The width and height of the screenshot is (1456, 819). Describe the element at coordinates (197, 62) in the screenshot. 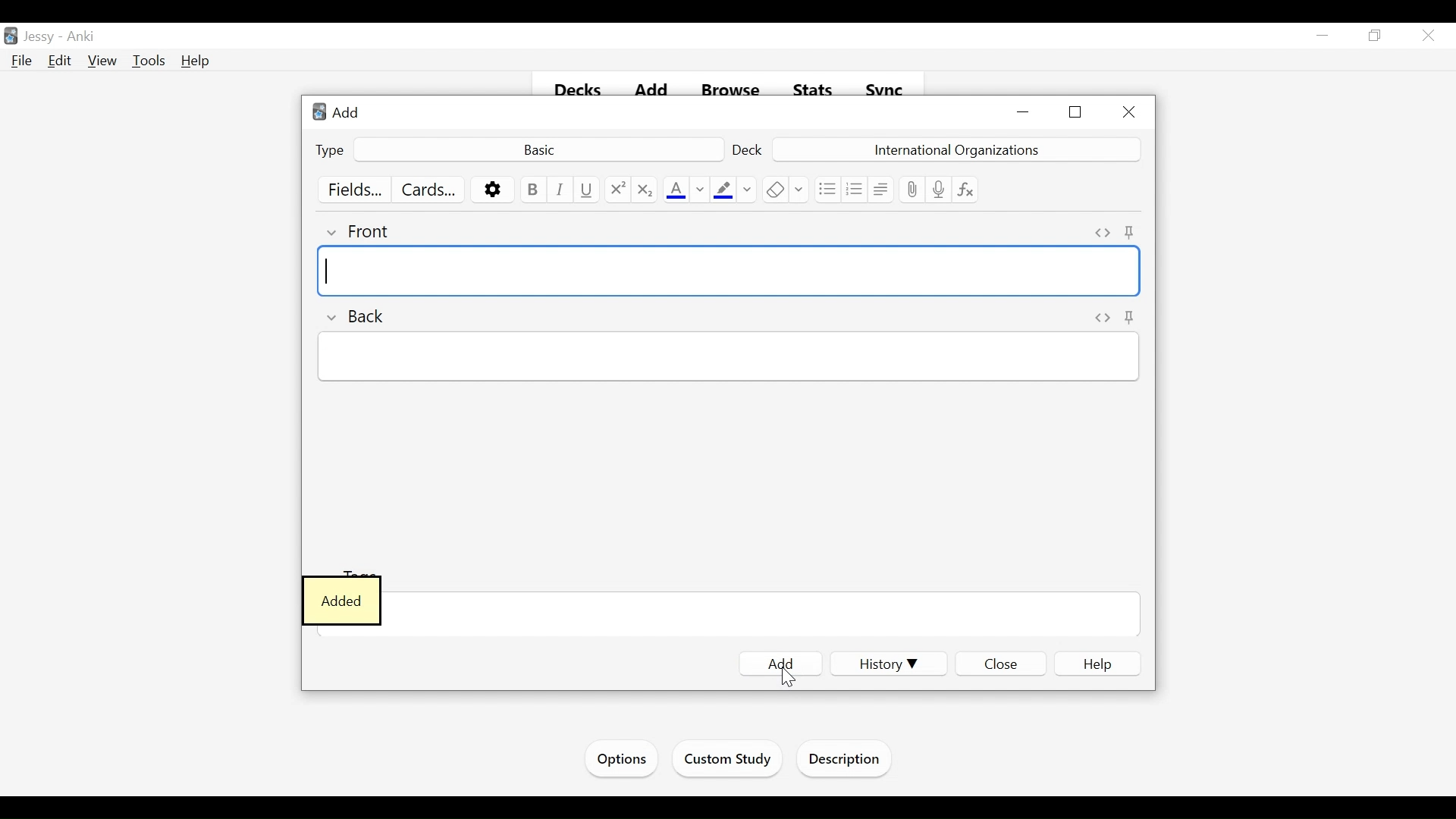

I see `Hel` at that location.